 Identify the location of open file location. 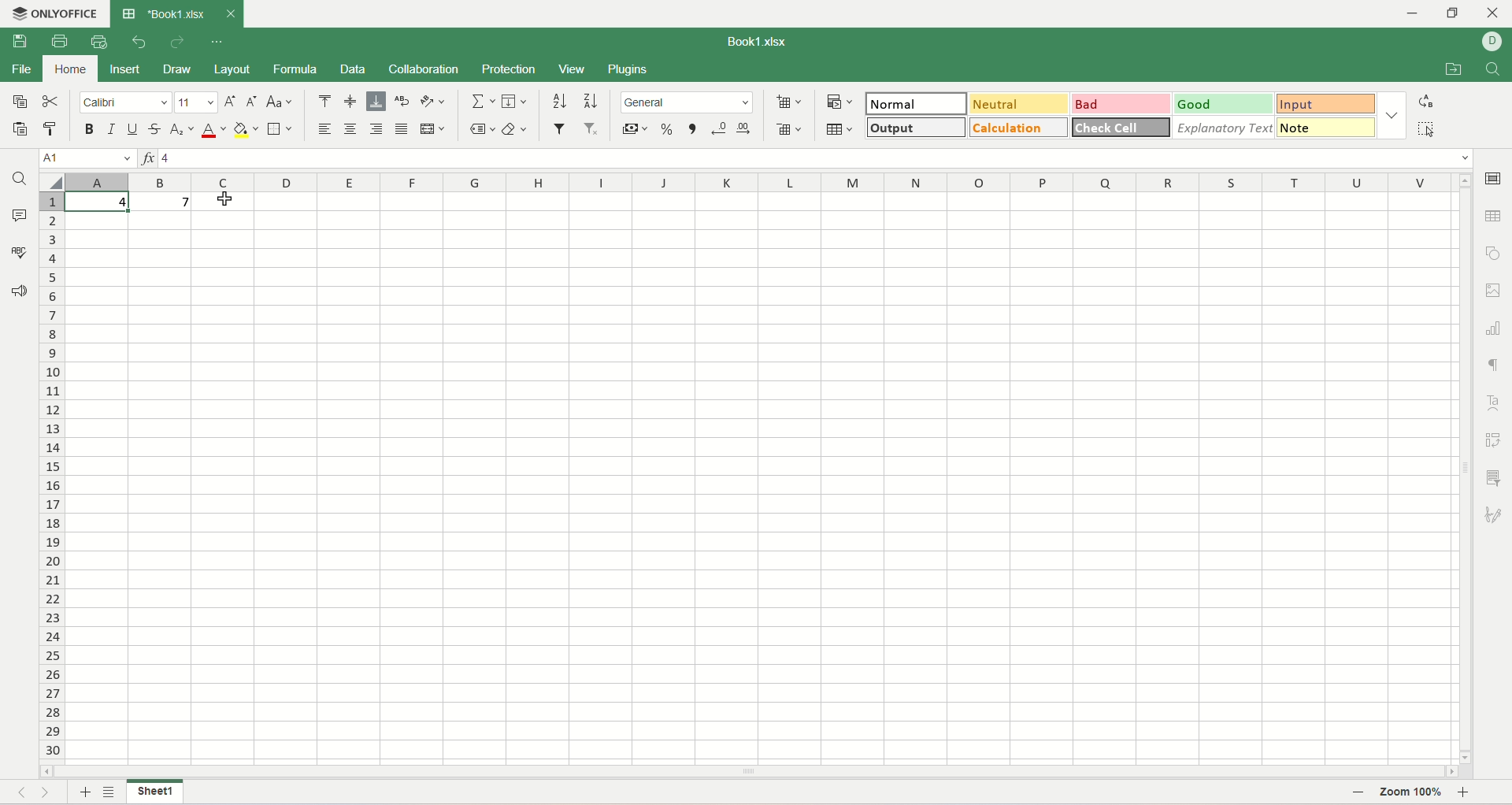
(1454, 69).